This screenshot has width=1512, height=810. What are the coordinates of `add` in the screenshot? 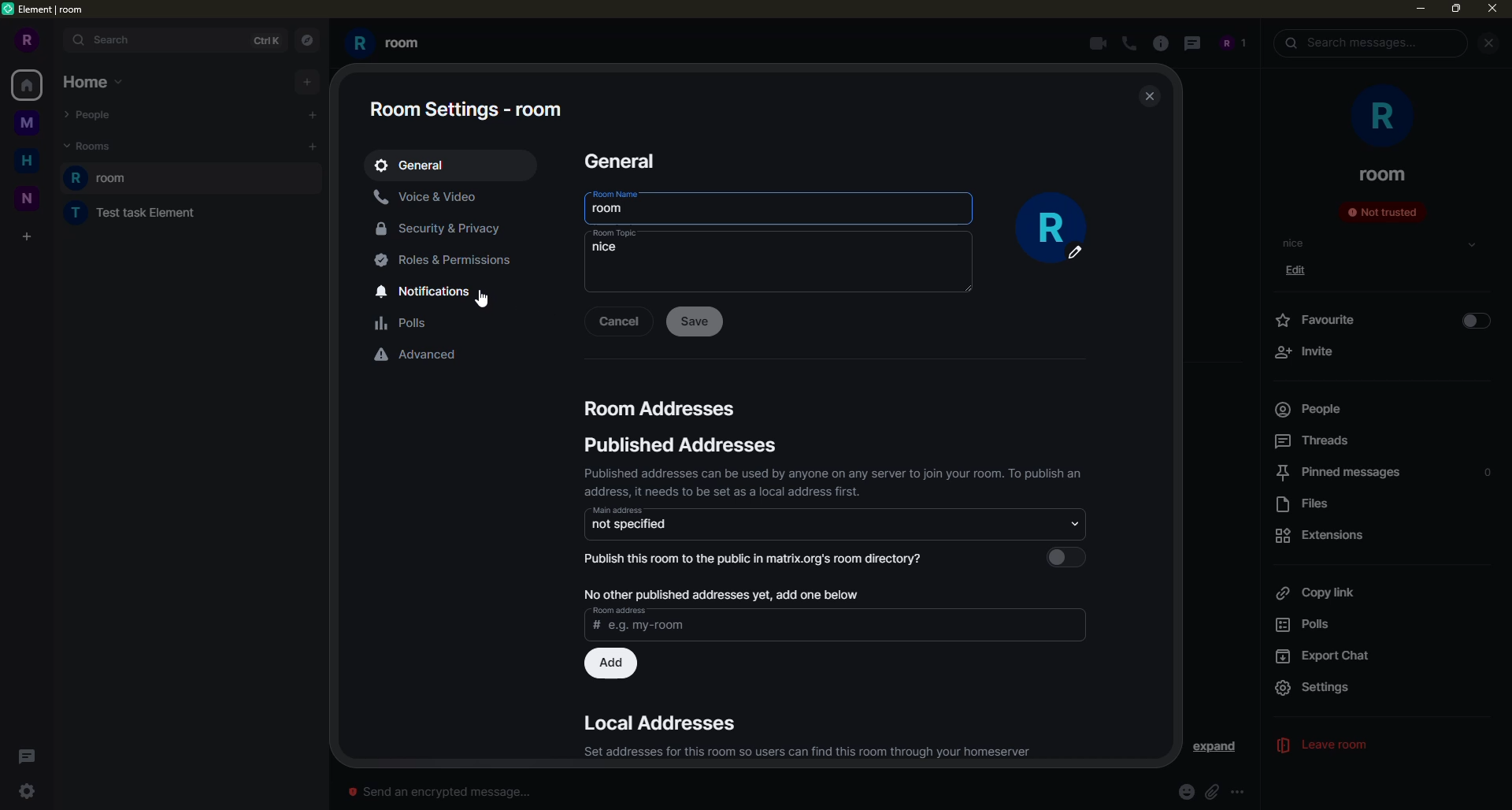 It's located at (306, 82).